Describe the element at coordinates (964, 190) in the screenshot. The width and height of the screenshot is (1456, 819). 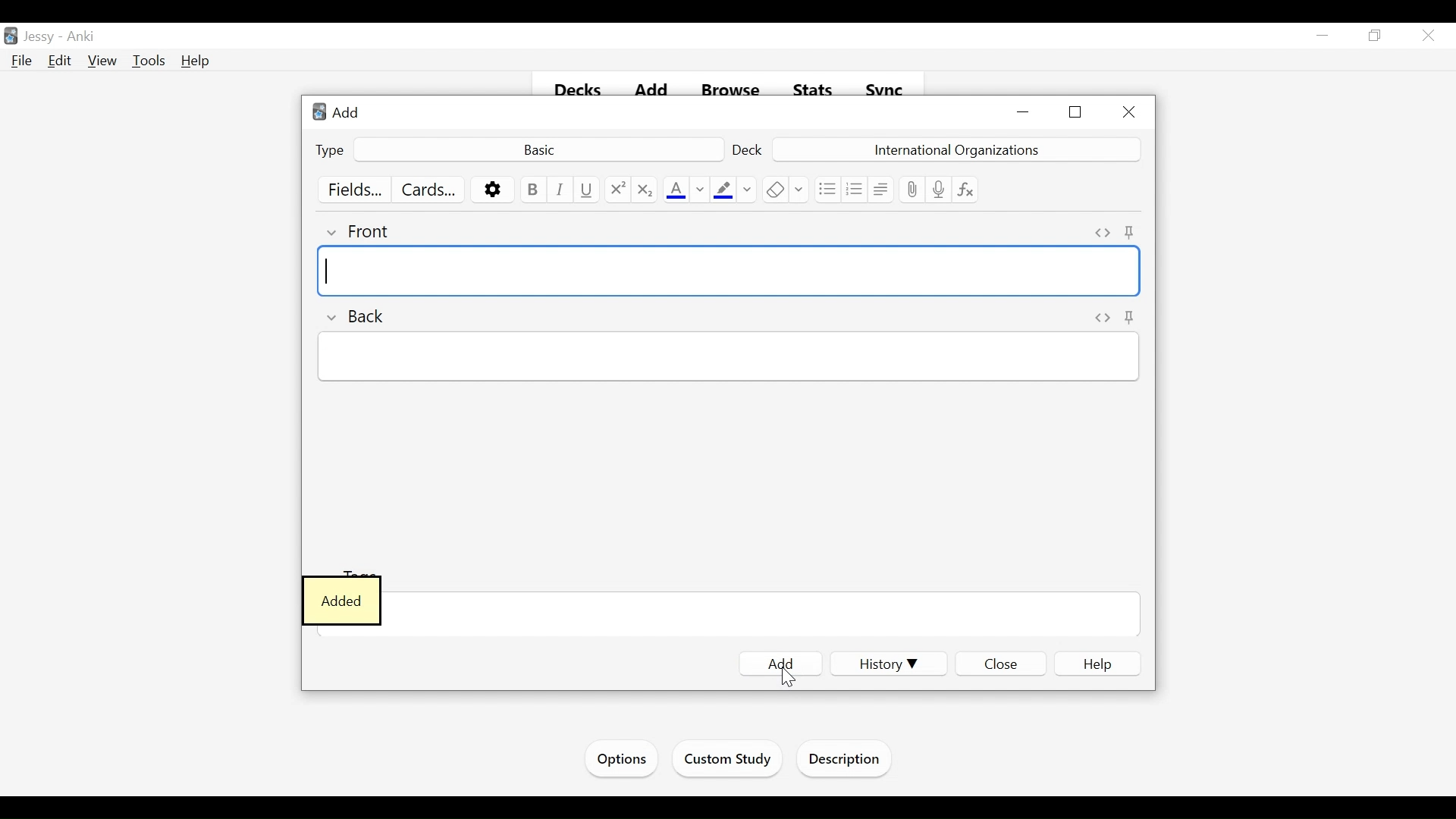
I see `Equations` at that location.